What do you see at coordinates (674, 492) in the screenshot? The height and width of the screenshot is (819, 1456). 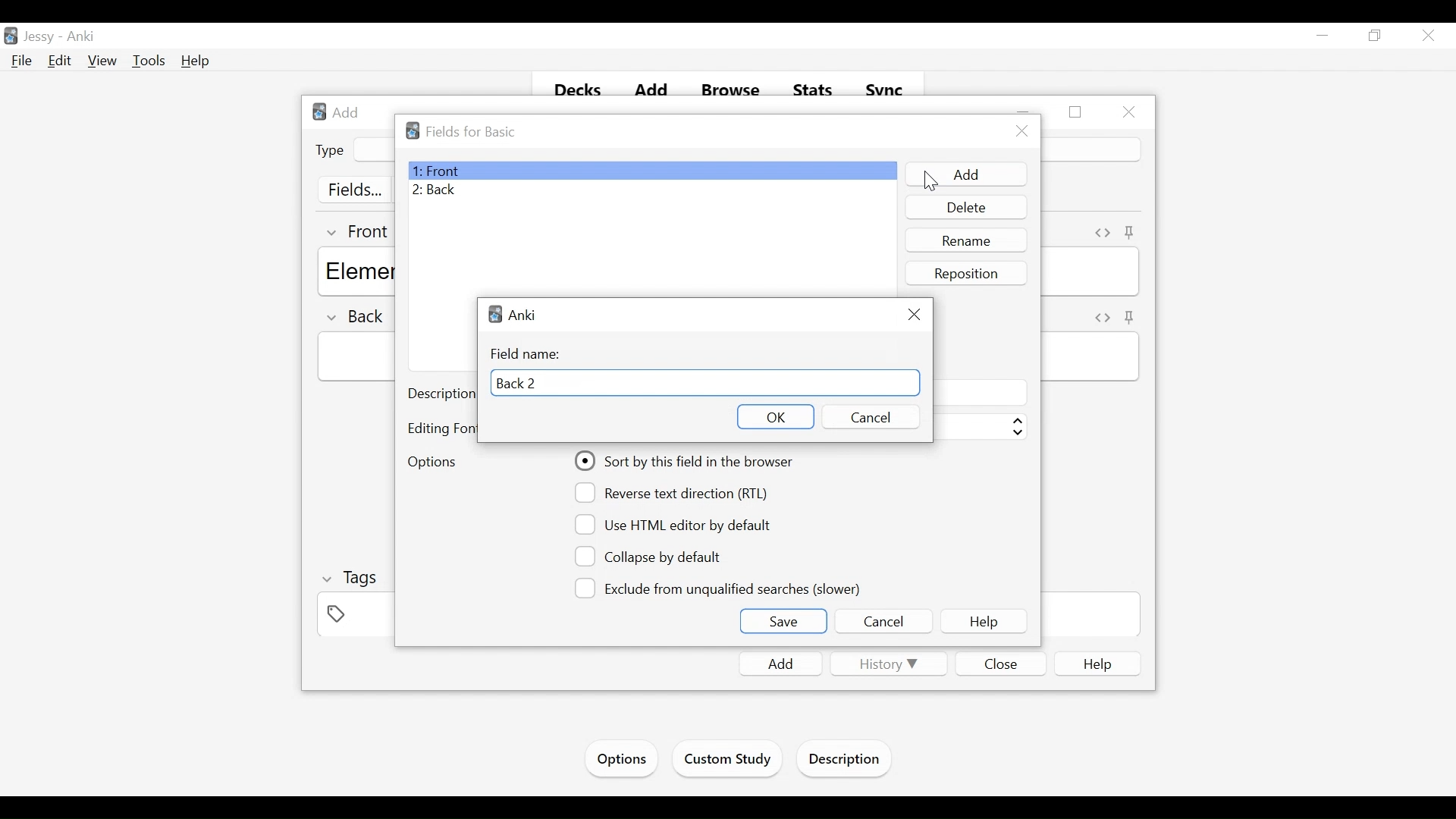 I see `(un)select reverse text direction (RTL)` at bounding box center [674, 492].